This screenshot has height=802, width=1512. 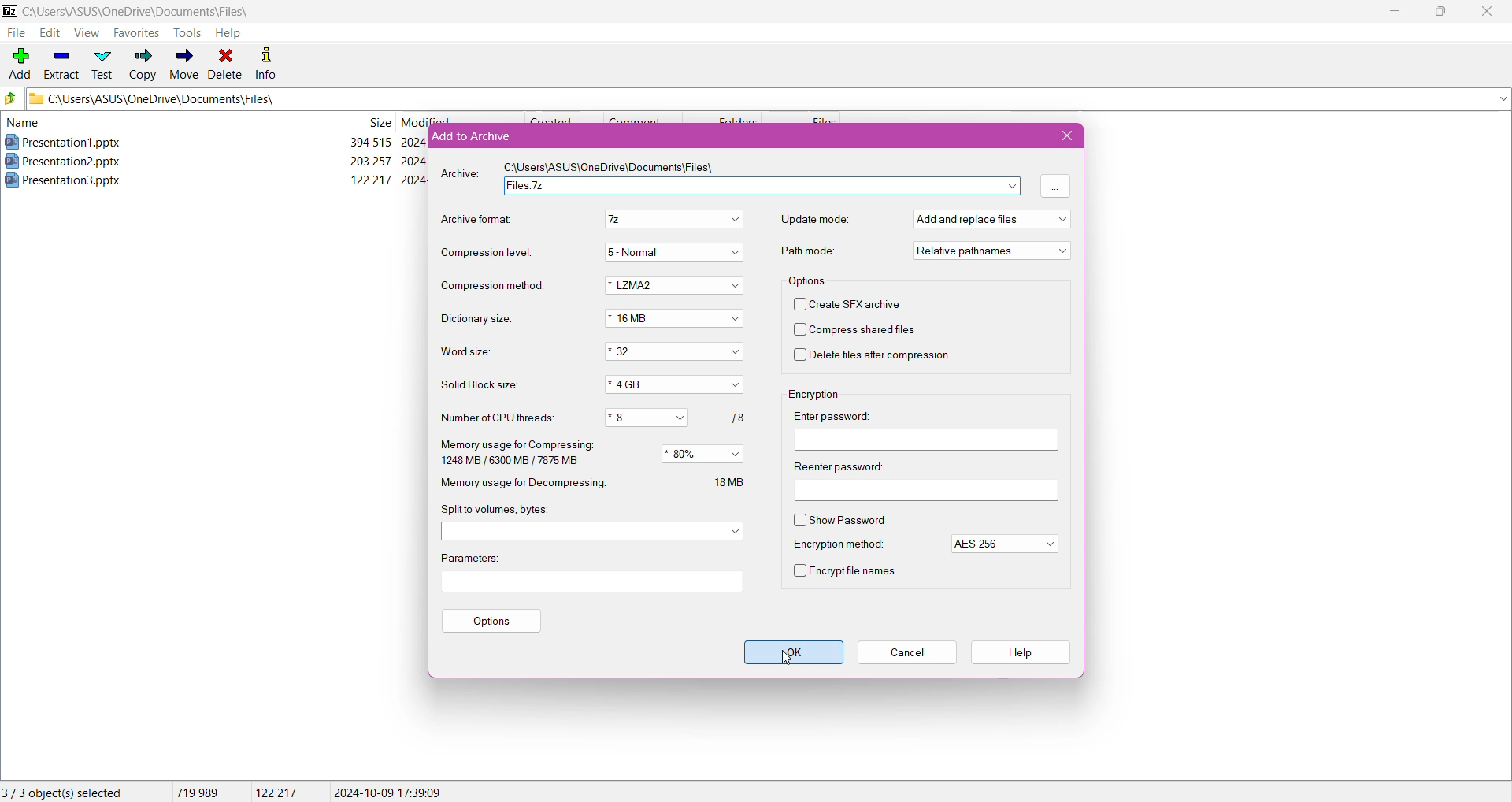 I want to click on Options, so click(x=494, y=619).